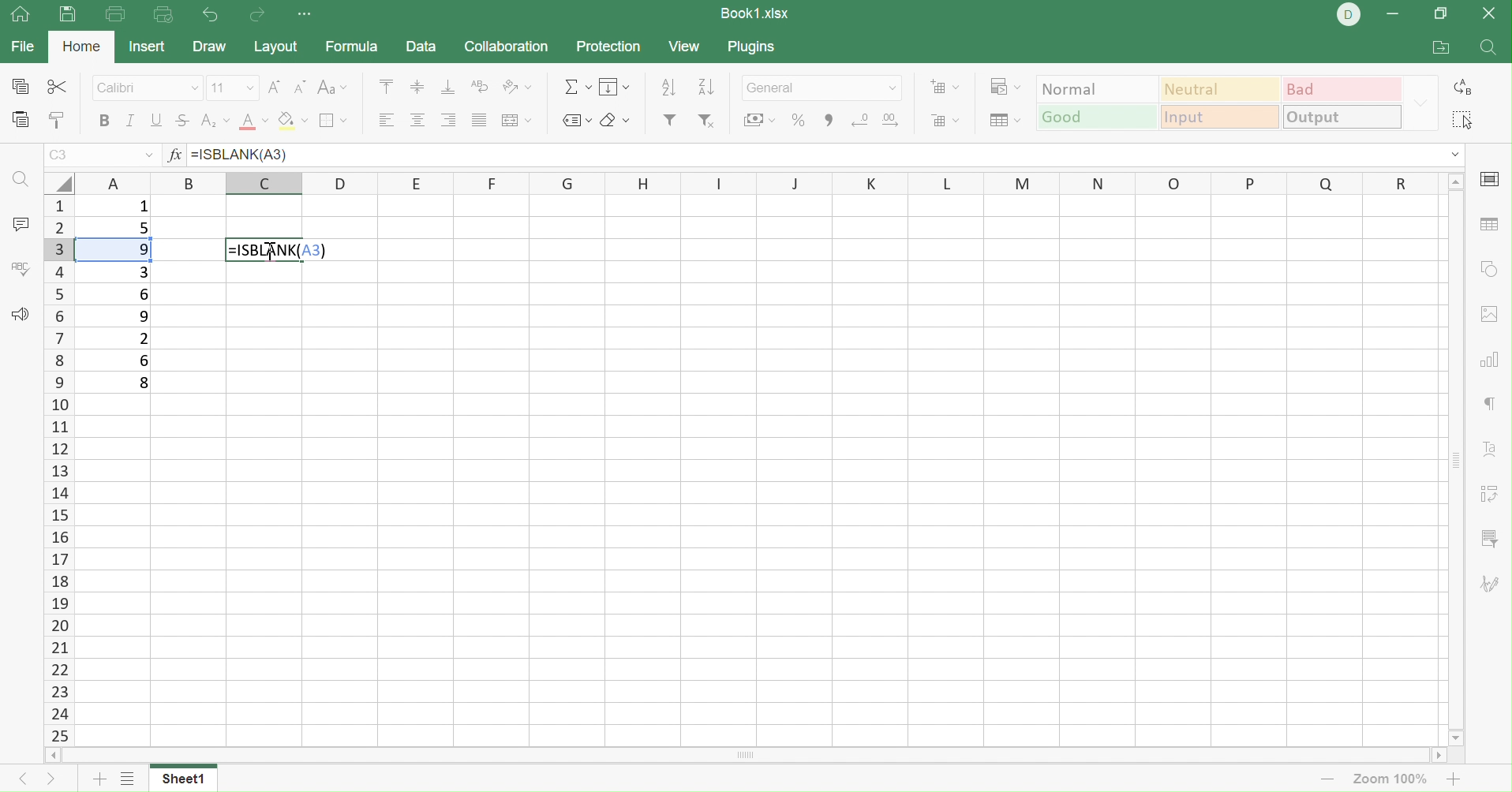 The width and height of the screenshot is (1512, 792). I want to click on DELL, so click(1349, 14).